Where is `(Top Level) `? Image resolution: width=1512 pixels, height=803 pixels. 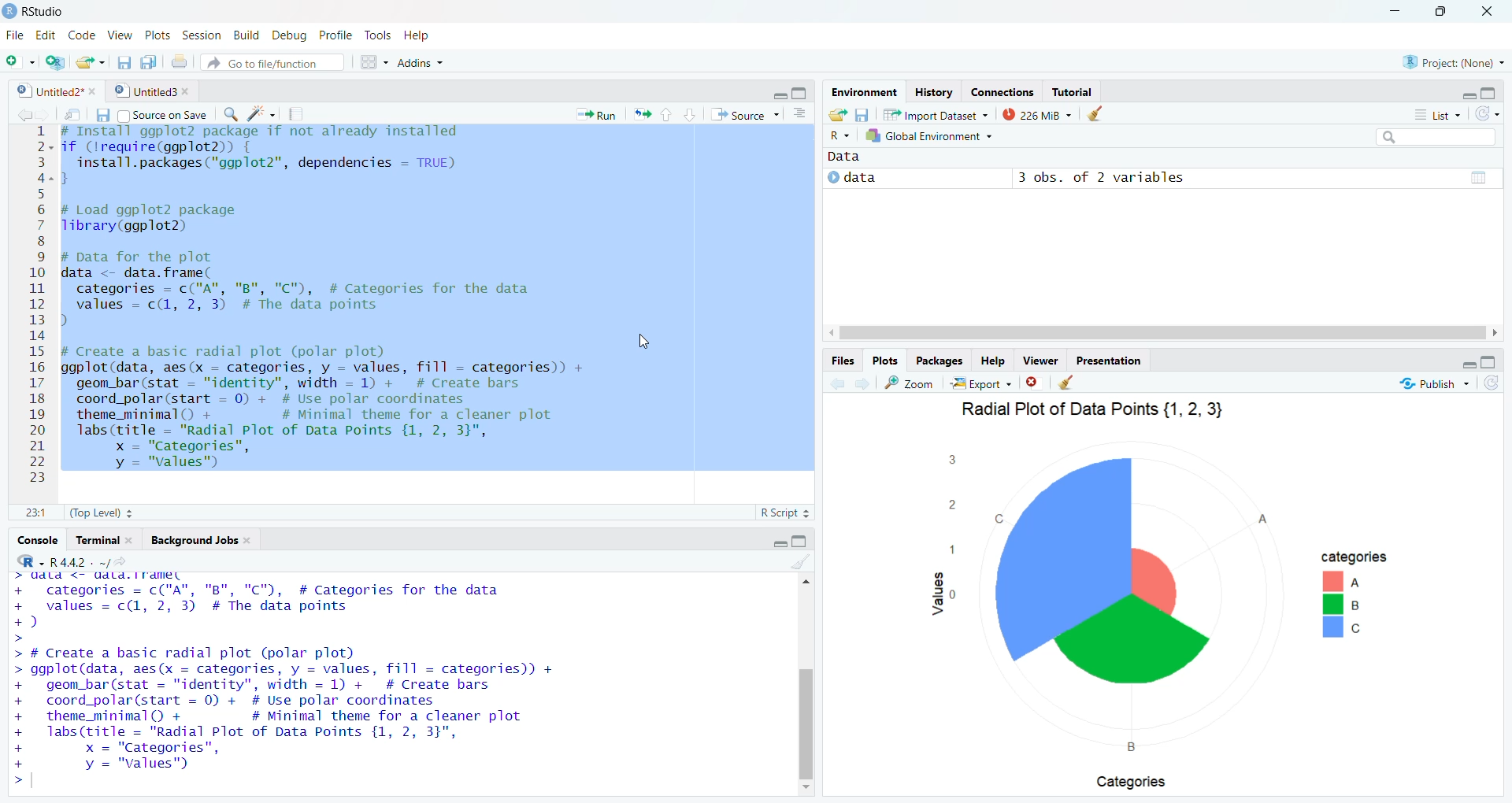 (Top Level)  is located at coordinates (103, 513).